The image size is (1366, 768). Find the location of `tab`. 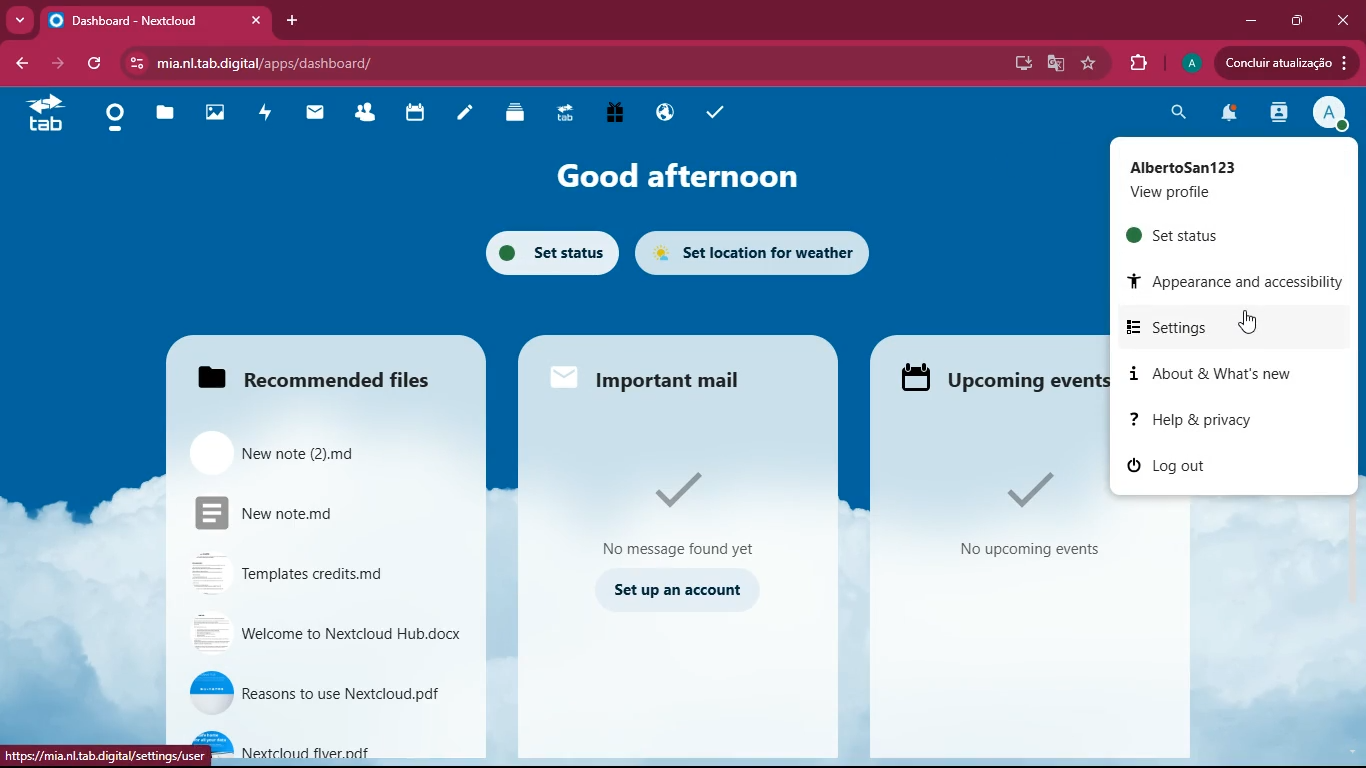

tab is located at coordinates (44, 112).